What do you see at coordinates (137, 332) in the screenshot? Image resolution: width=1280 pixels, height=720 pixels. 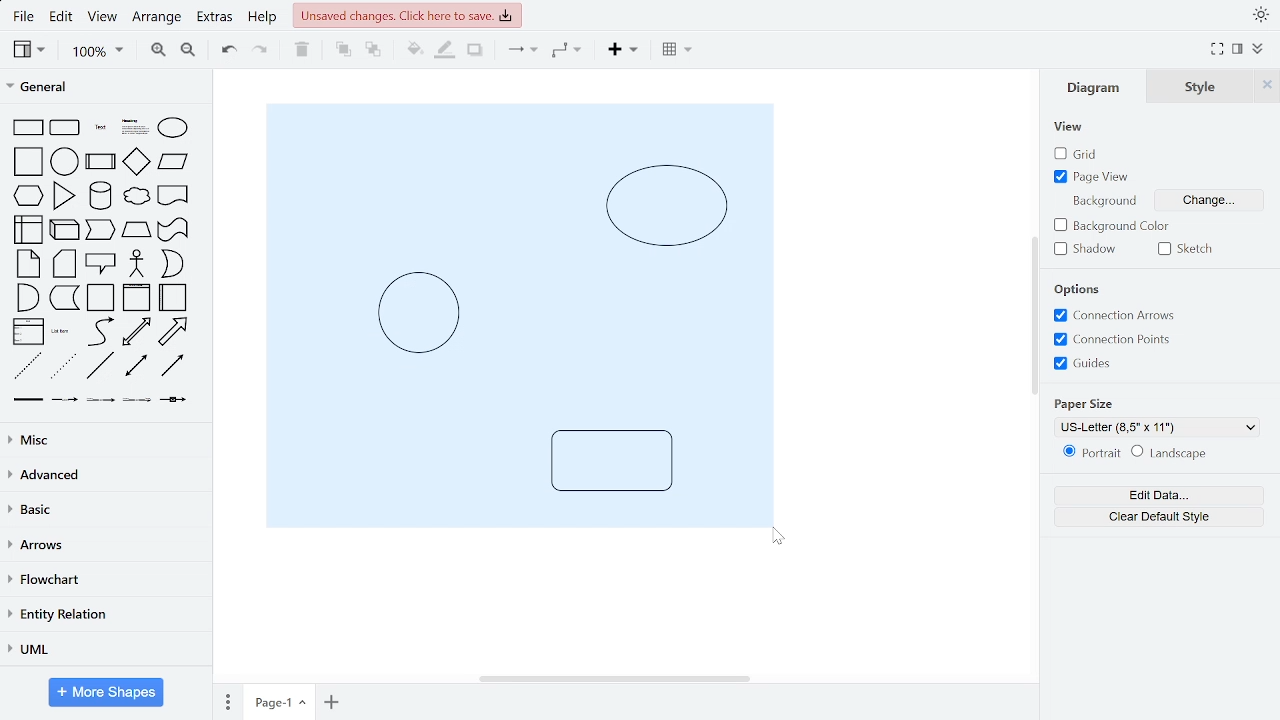 I see `bidirectional arrow` at bounding box center [137, 332].